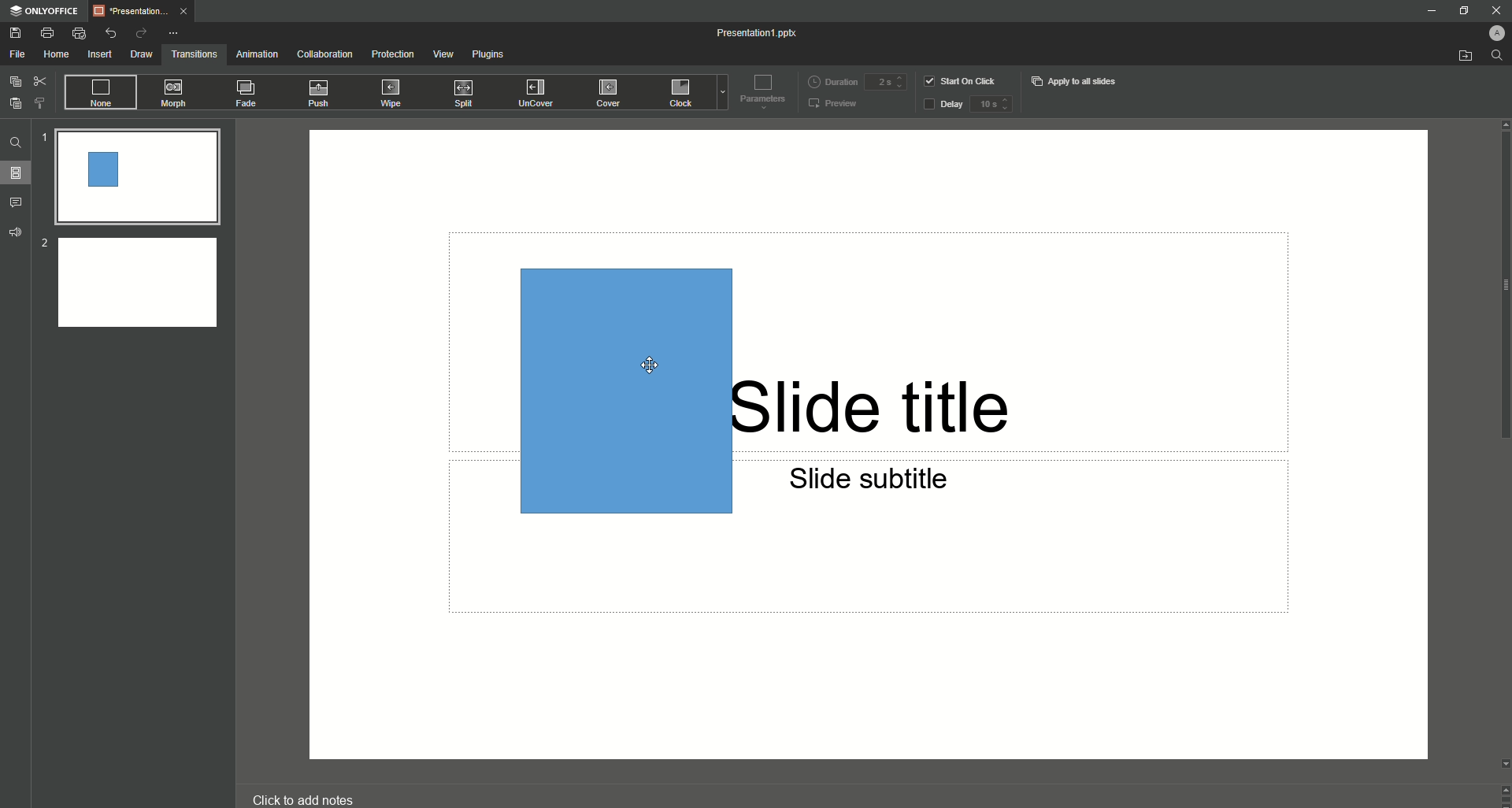  Describe the element at coordinates (1503, 286) in the screenshot. I see `scroll bar` at that location.